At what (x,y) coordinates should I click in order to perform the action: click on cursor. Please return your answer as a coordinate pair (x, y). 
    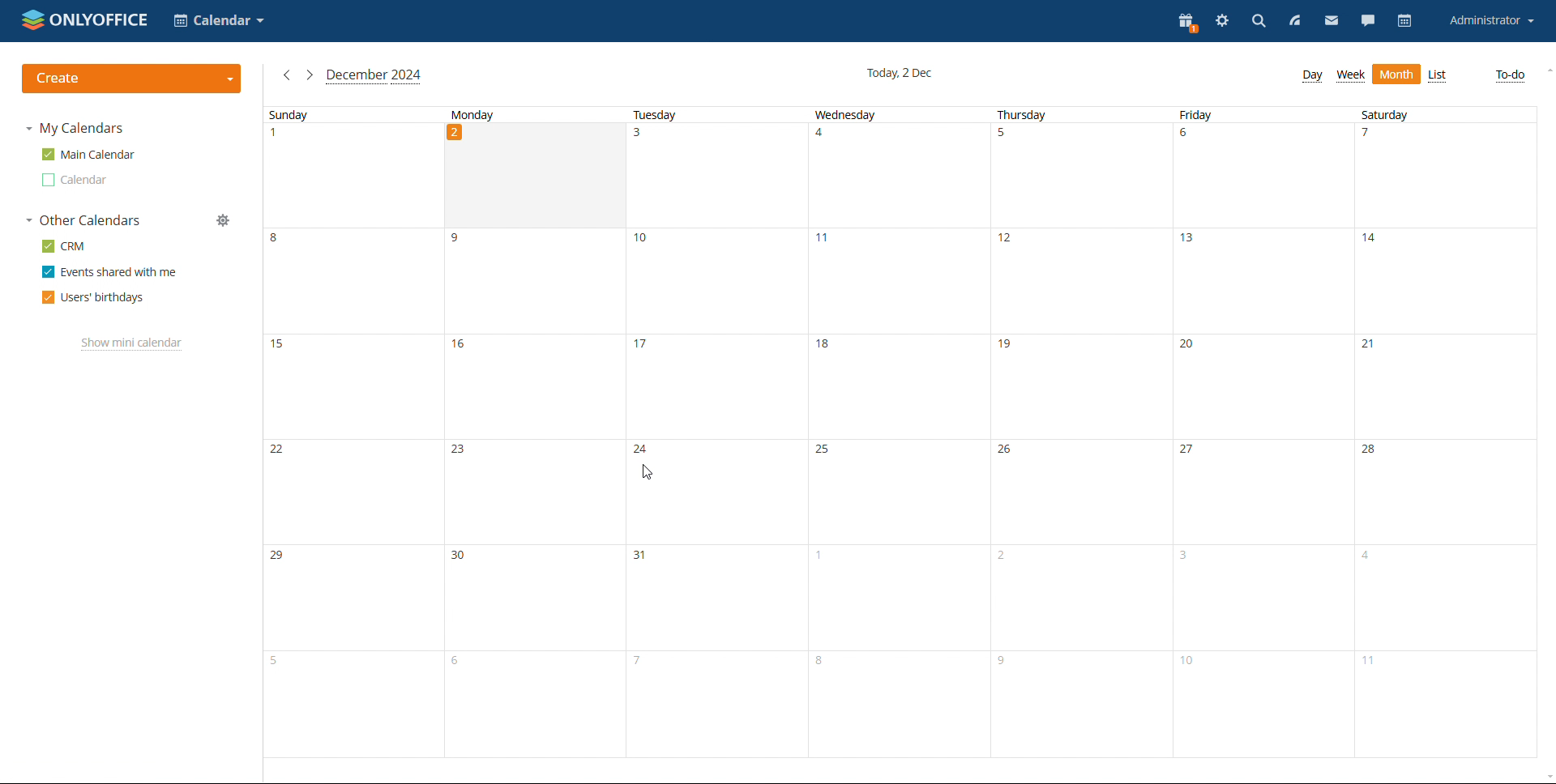
    Looking at the image, I should click on (648, 474).